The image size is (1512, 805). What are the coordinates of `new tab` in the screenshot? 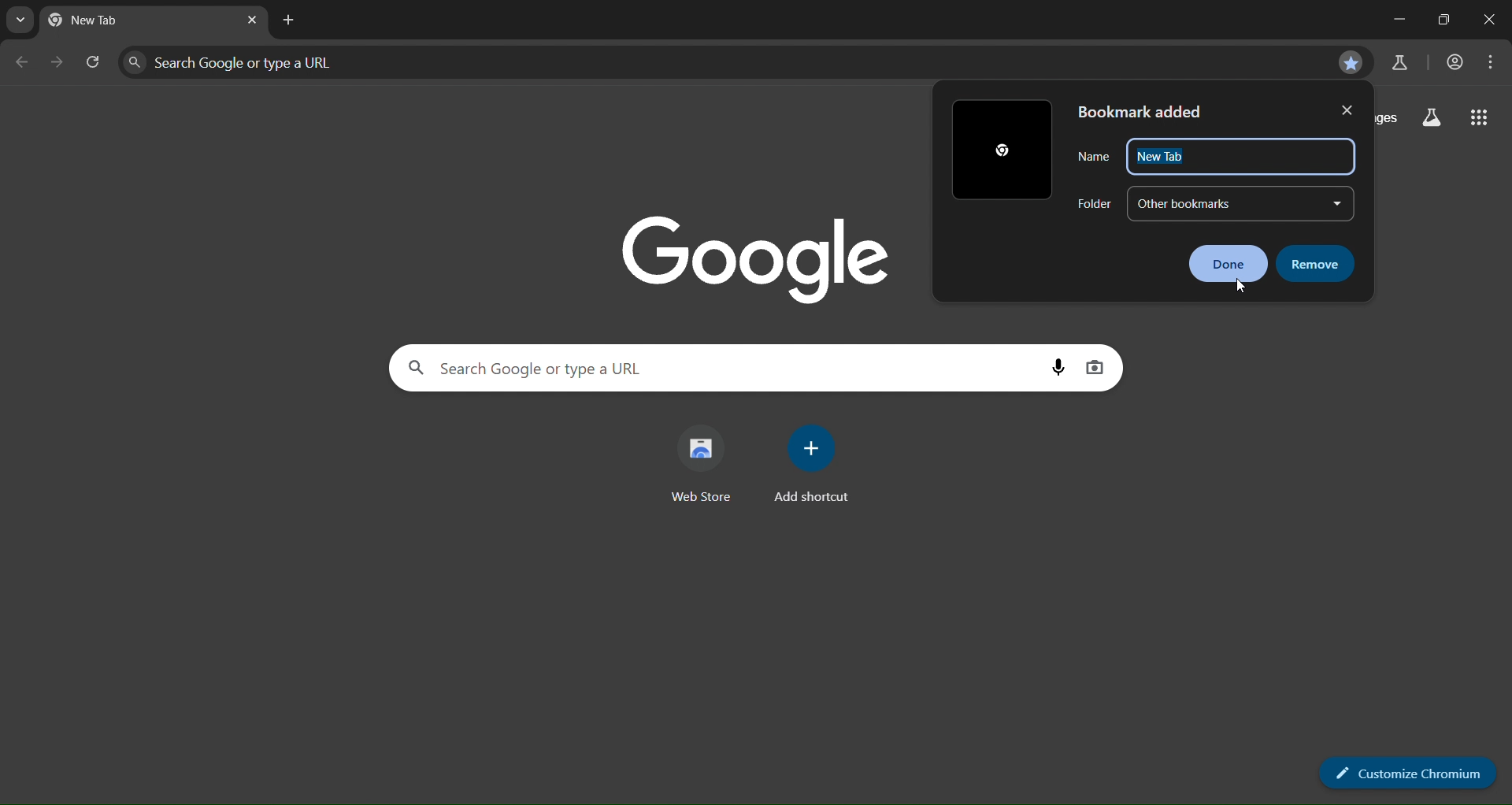 It's located at (295, 24).